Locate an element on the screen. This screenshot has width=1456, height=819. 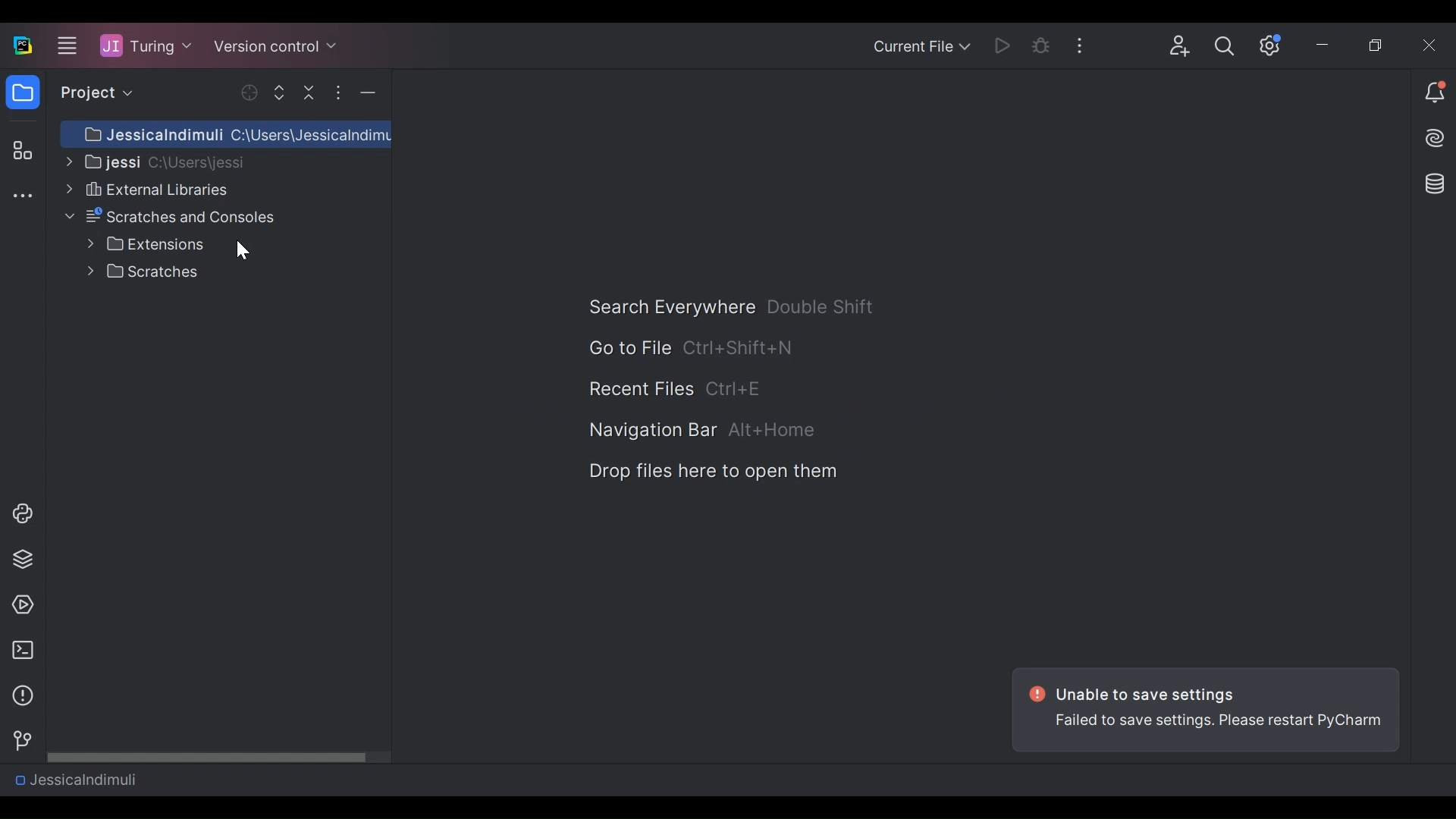
Search is located at coordinates (1225, 46).